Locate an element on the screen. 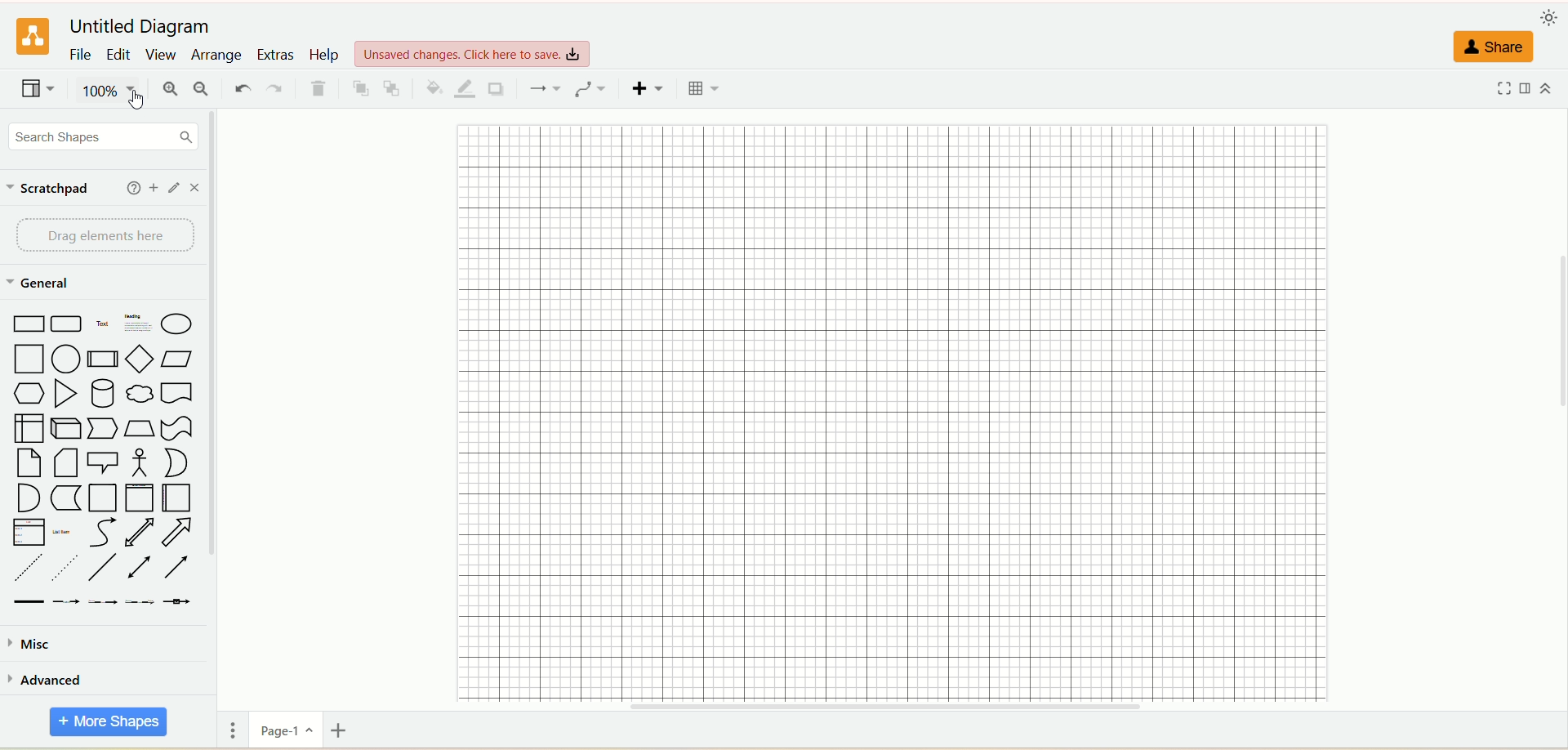  circle is located at coordinates (67, 359).